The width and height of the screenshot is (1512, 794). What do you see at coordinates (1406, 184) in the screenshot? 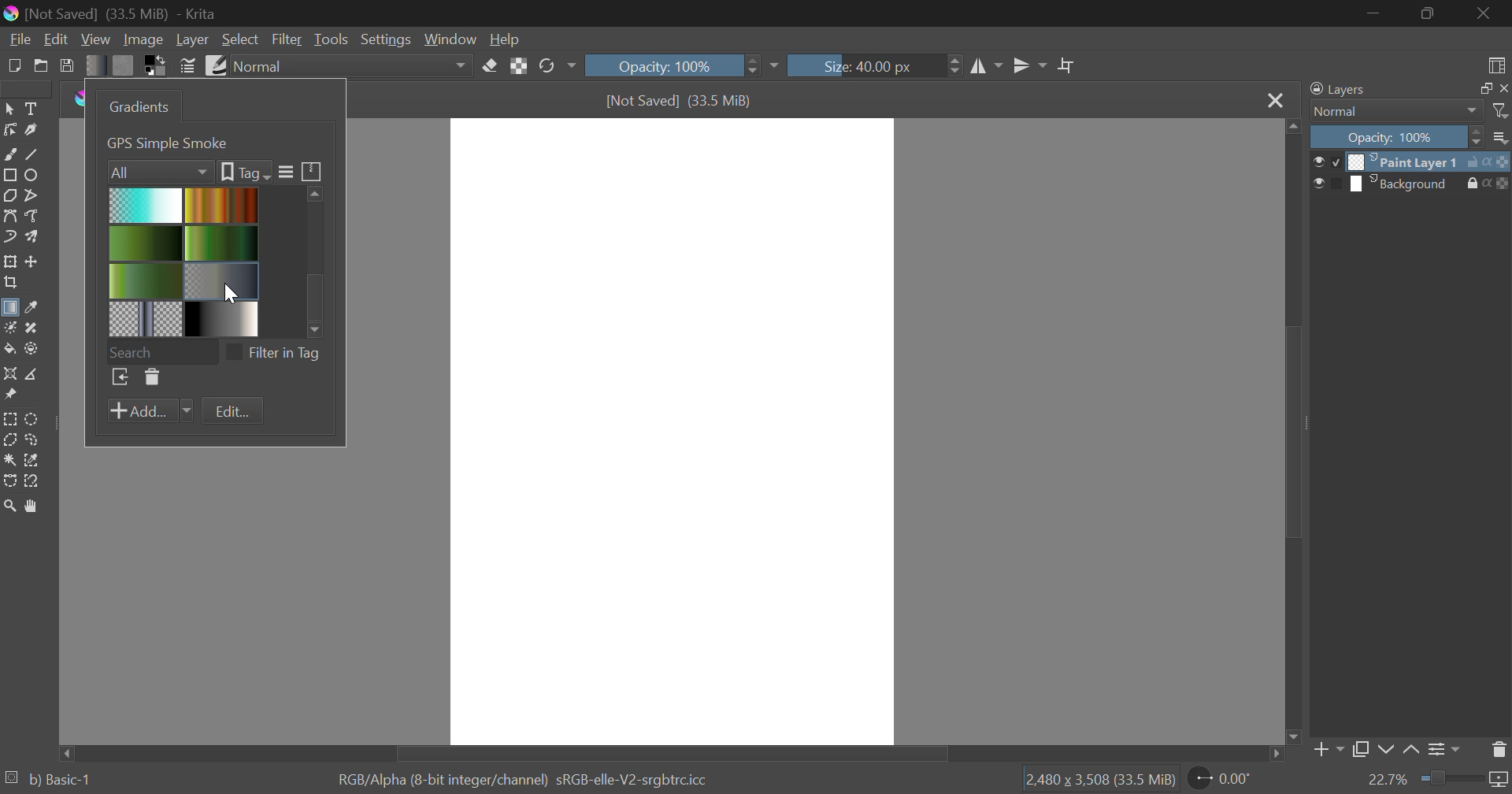
I see `Background` at bounding box center [1406, 184].